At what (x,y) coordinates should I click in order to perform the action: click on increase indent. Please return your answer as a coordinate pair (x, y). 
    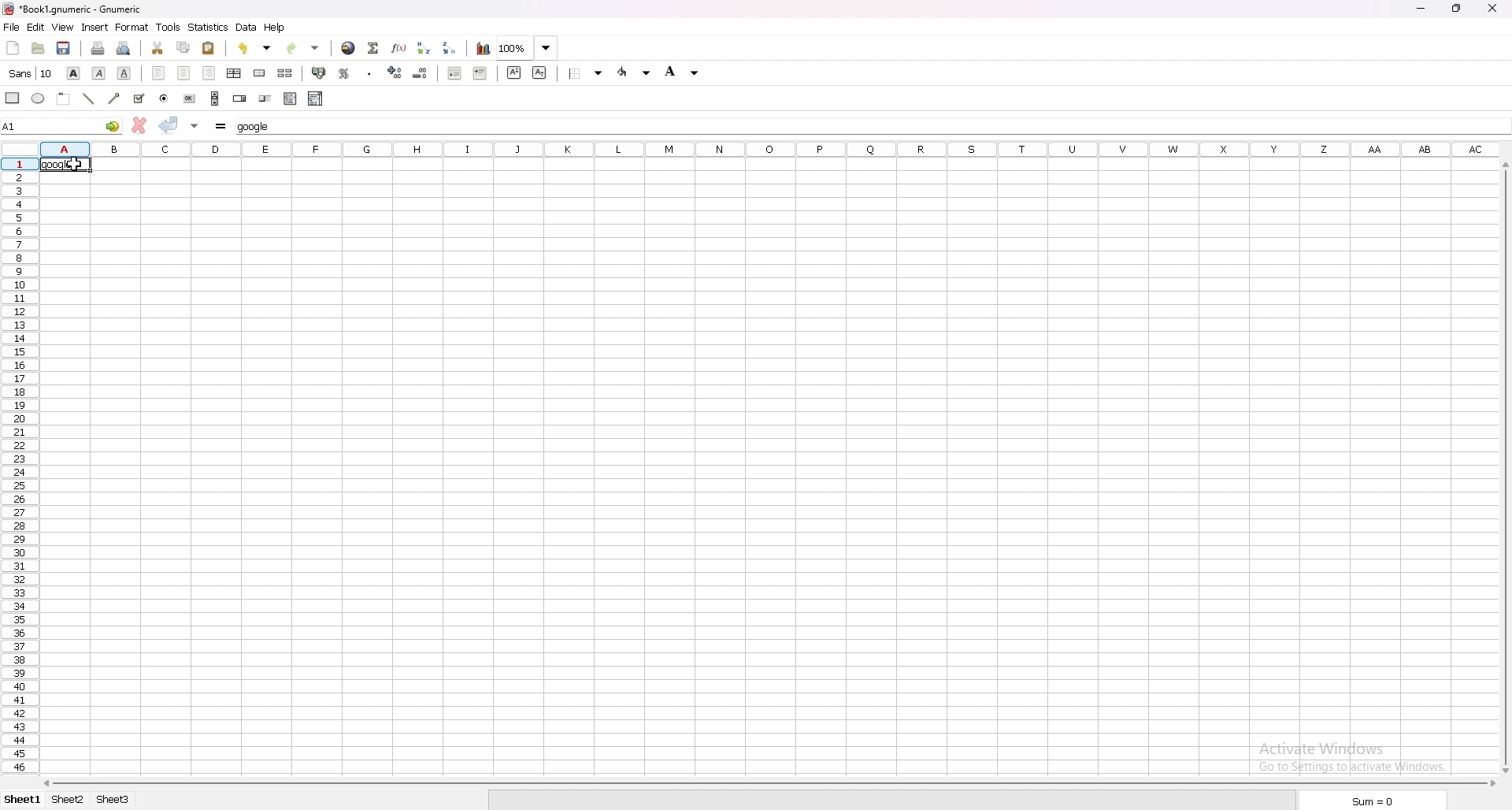
    Looking at the image, I should click on (480, 72).